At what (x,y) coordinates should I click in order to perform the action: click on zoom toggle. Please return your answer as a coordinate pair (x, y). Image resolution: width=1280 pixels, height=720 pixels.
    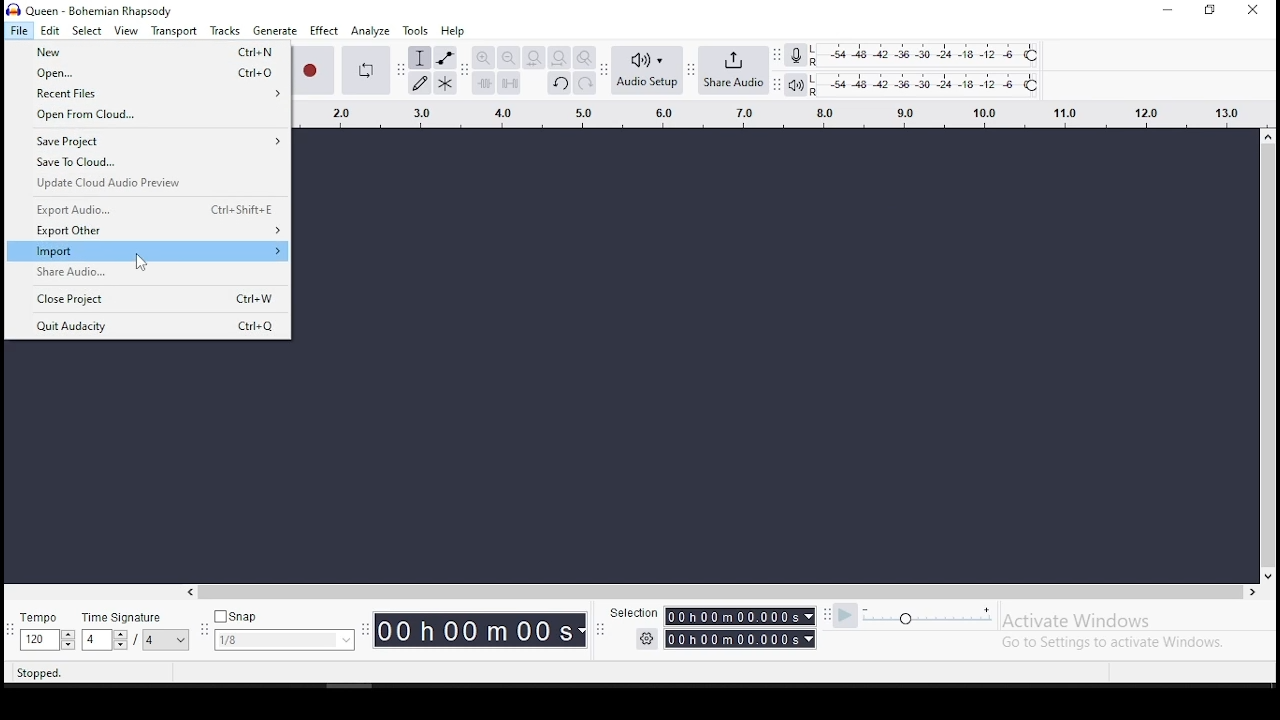
    Looking at the image, I should click on (584, 58).